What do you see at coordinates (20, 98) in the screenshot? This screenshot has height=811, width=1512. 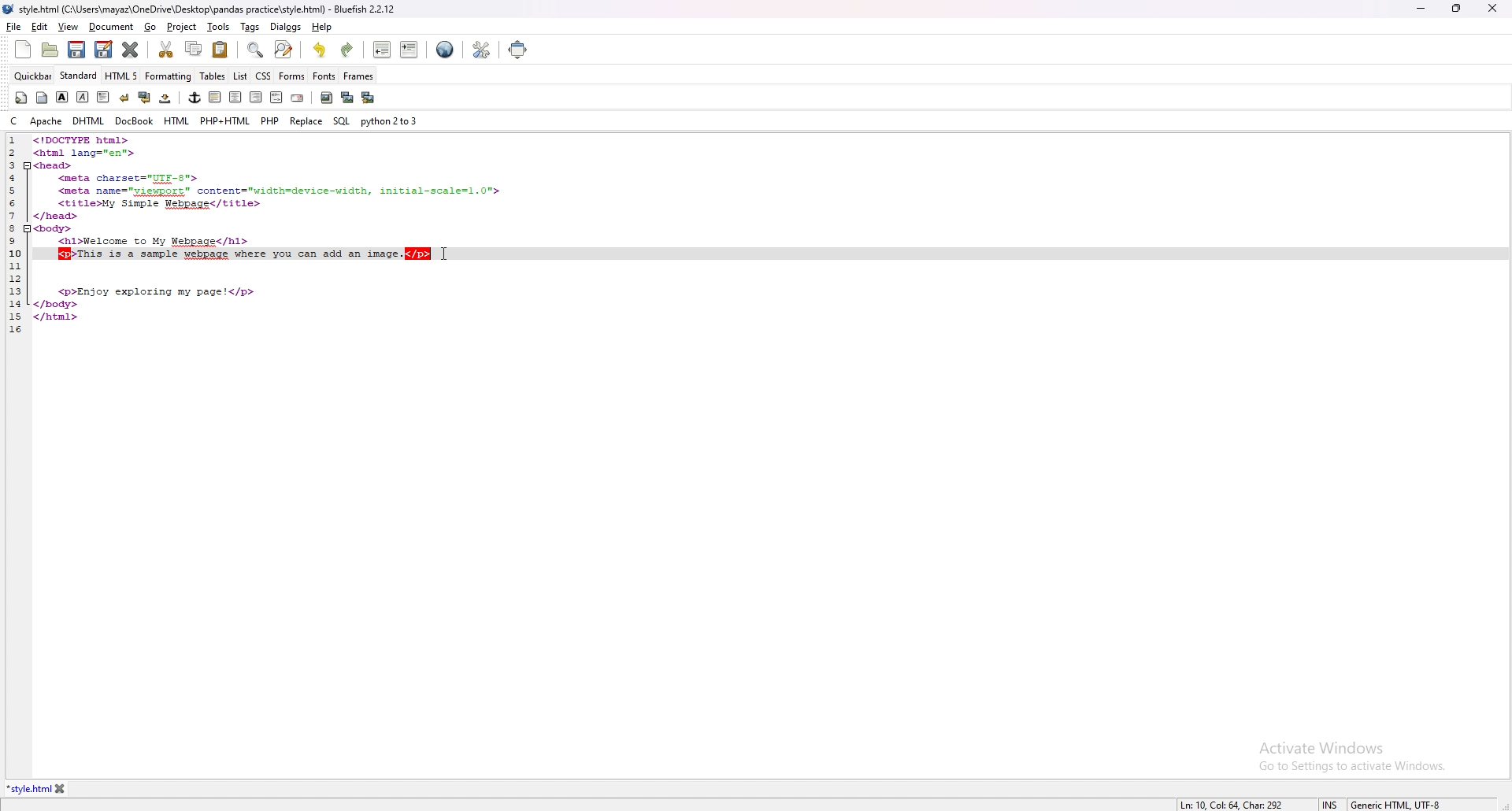 I see `quickstart` at bounding box center [20, 98].